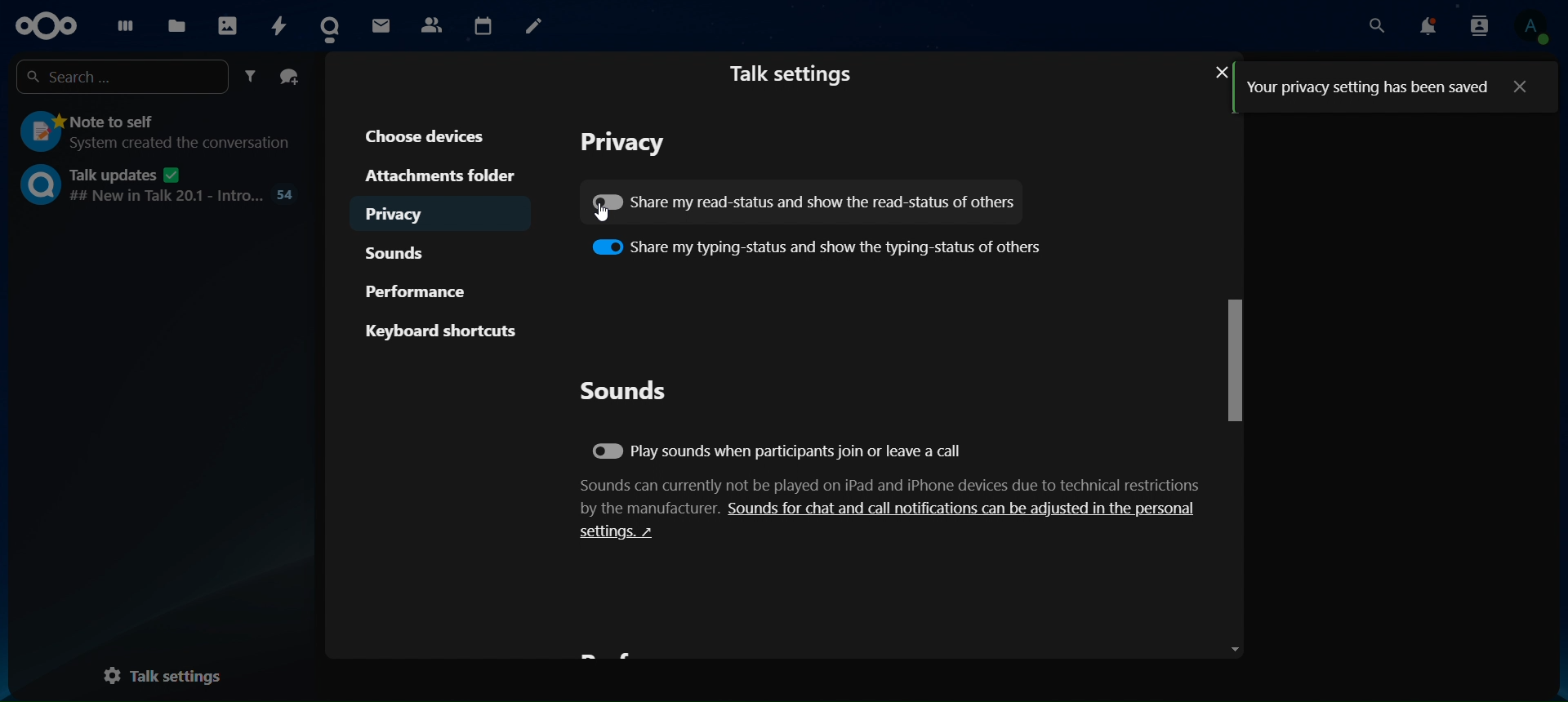 This screenshot has height=702, width=1568. What do you see at coordinates (176, 26) in the screenshot?
I see `files` at bounding box center [176, 26].